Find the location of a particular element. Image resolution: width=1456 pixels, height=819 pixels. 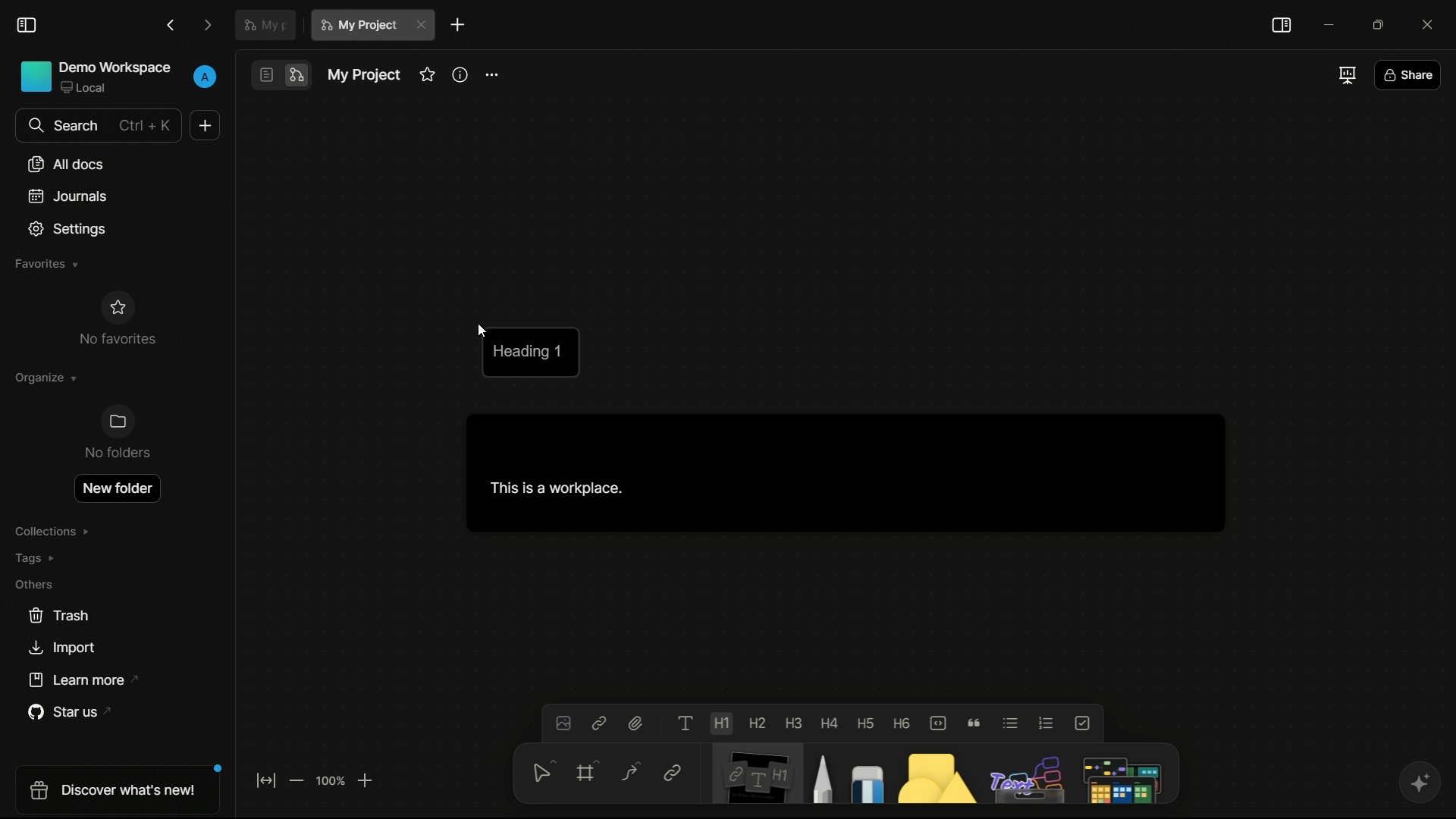

search bar is located at coordinates (99, 126).